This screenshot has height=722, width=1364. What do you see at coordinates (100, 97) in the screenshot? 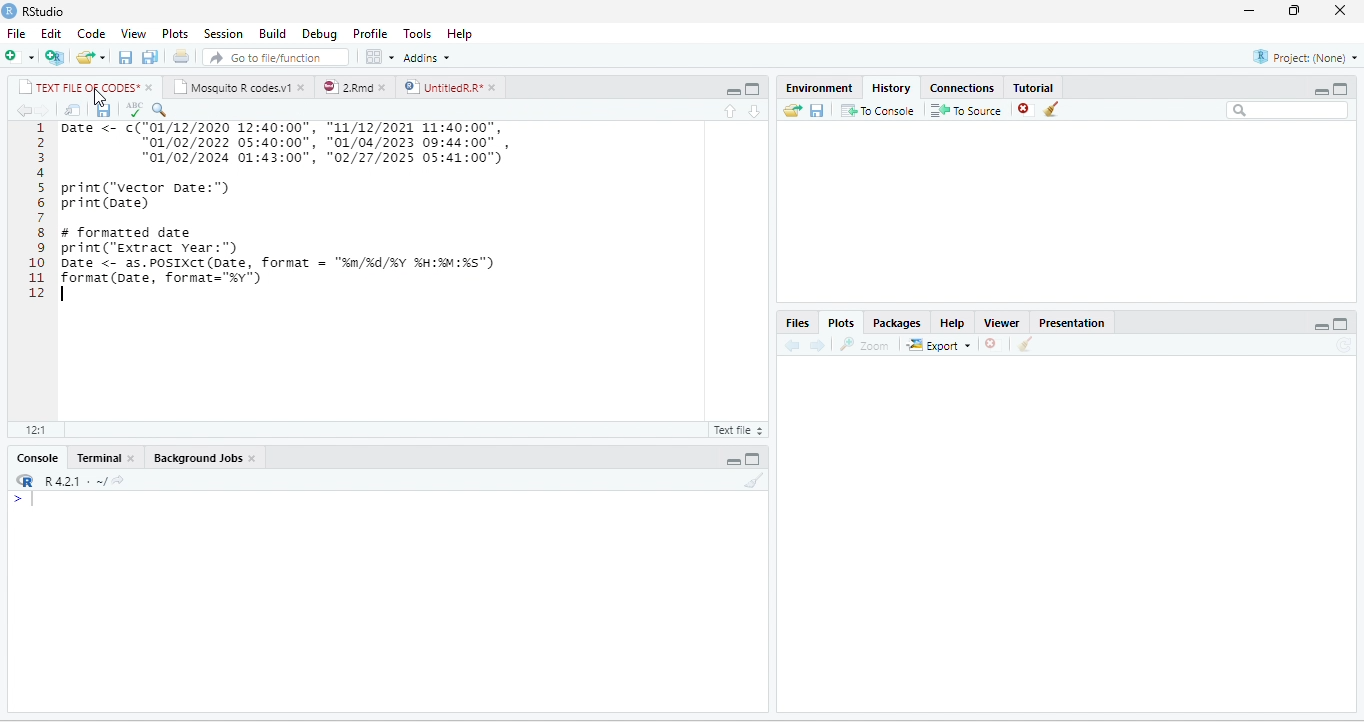
I see `cursor` at bounding box center [100, 97].